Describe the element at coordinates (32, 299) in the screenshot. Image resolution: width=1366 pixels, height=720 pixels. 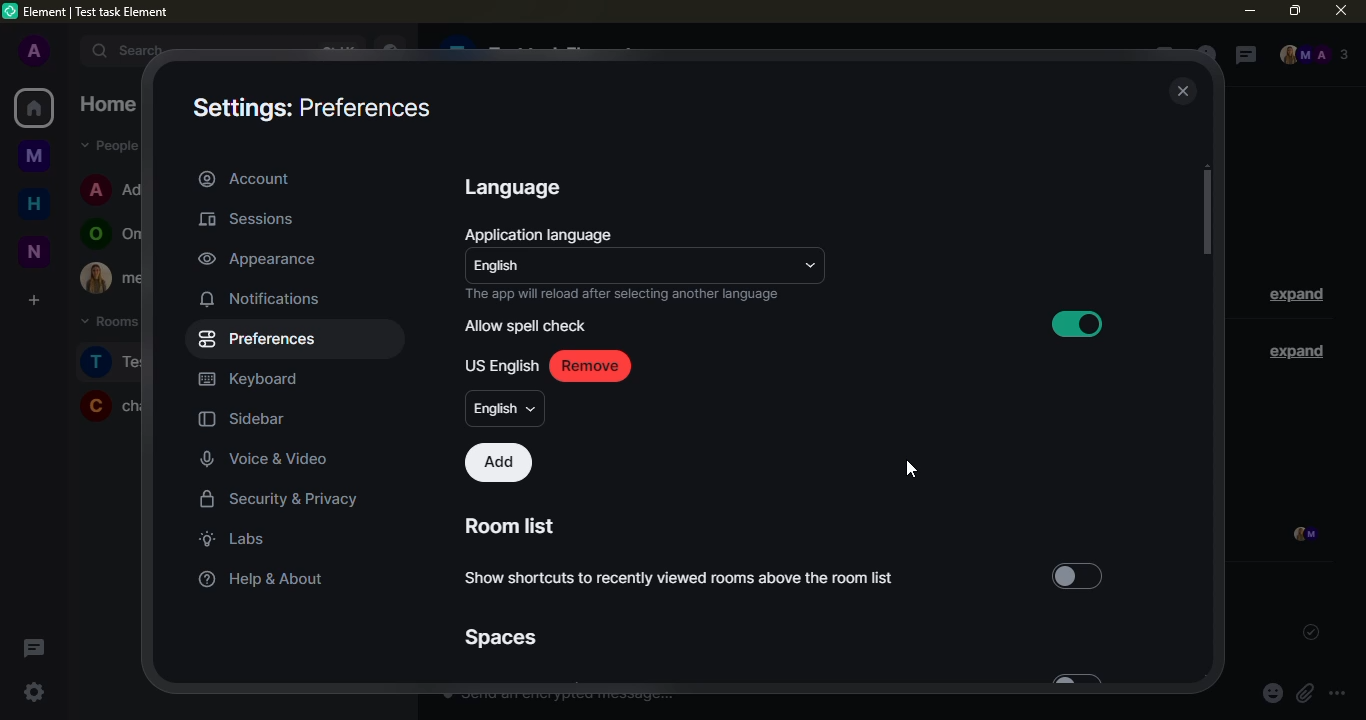
I see `create a space` at that location.